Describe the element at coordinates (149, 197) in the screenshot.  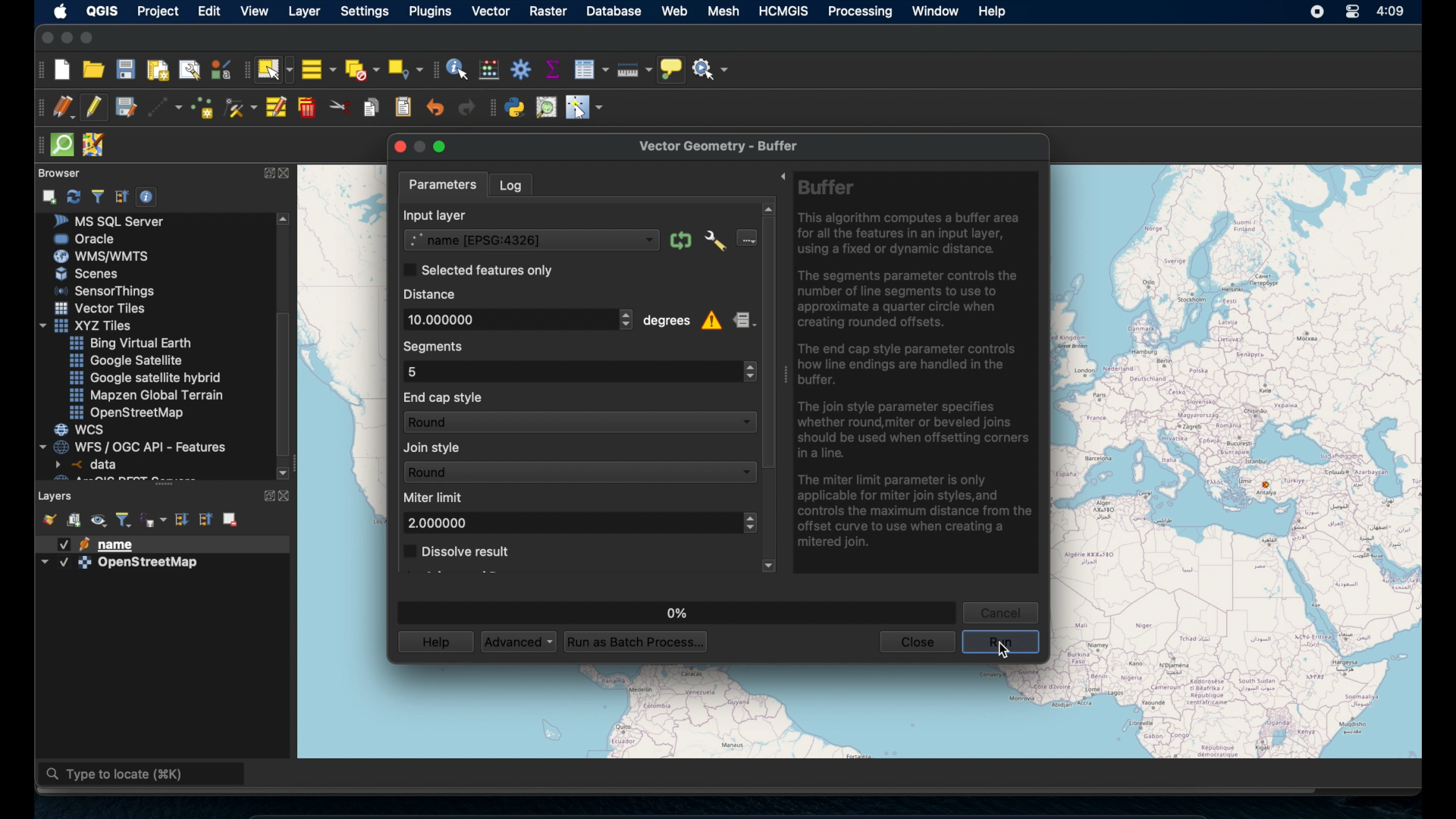
I see `enable/disable properties widget` at that location.